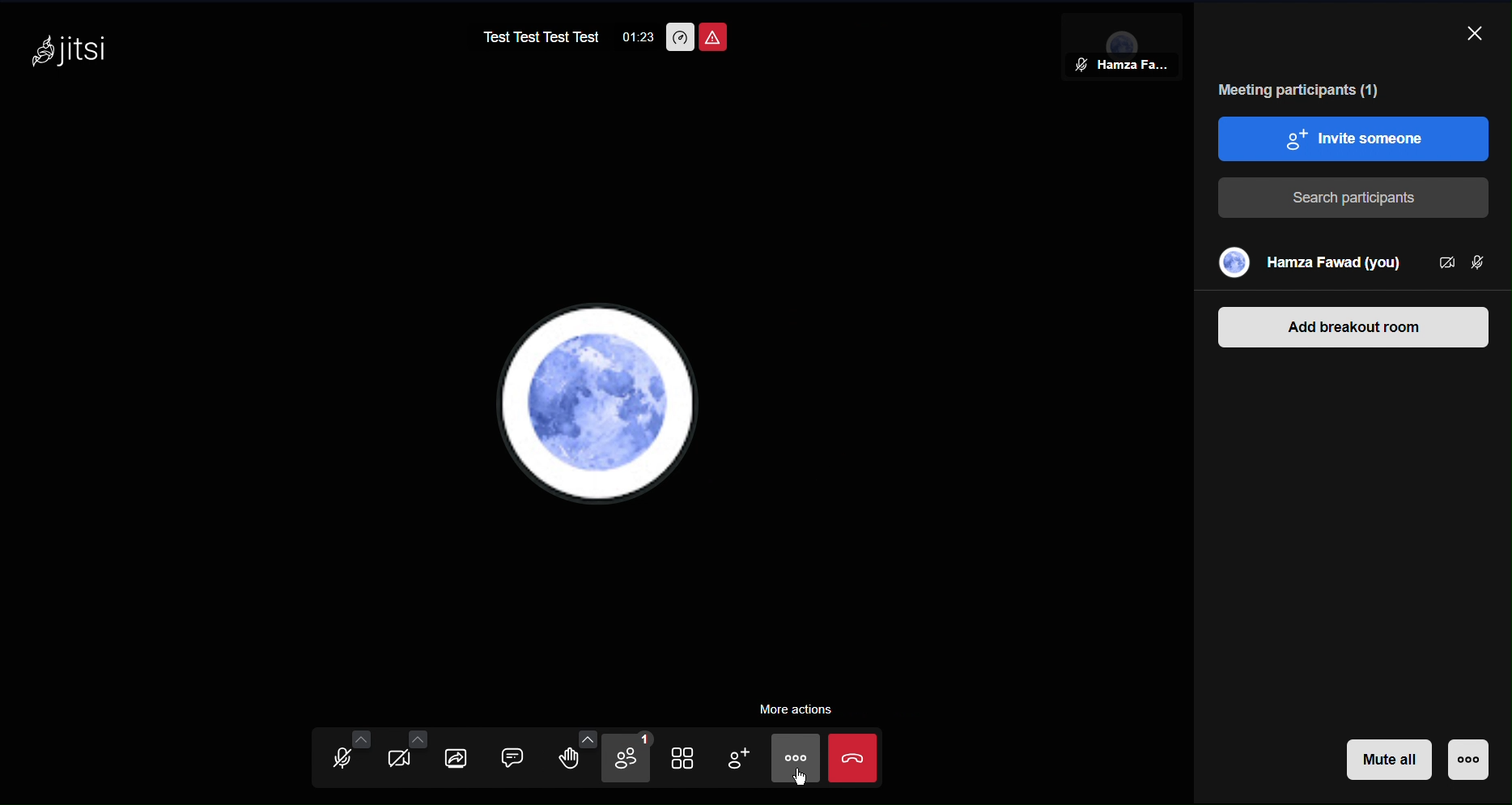  Describe the element at coordinates (402, 755) in the screenshot. I see `Video` at that location.